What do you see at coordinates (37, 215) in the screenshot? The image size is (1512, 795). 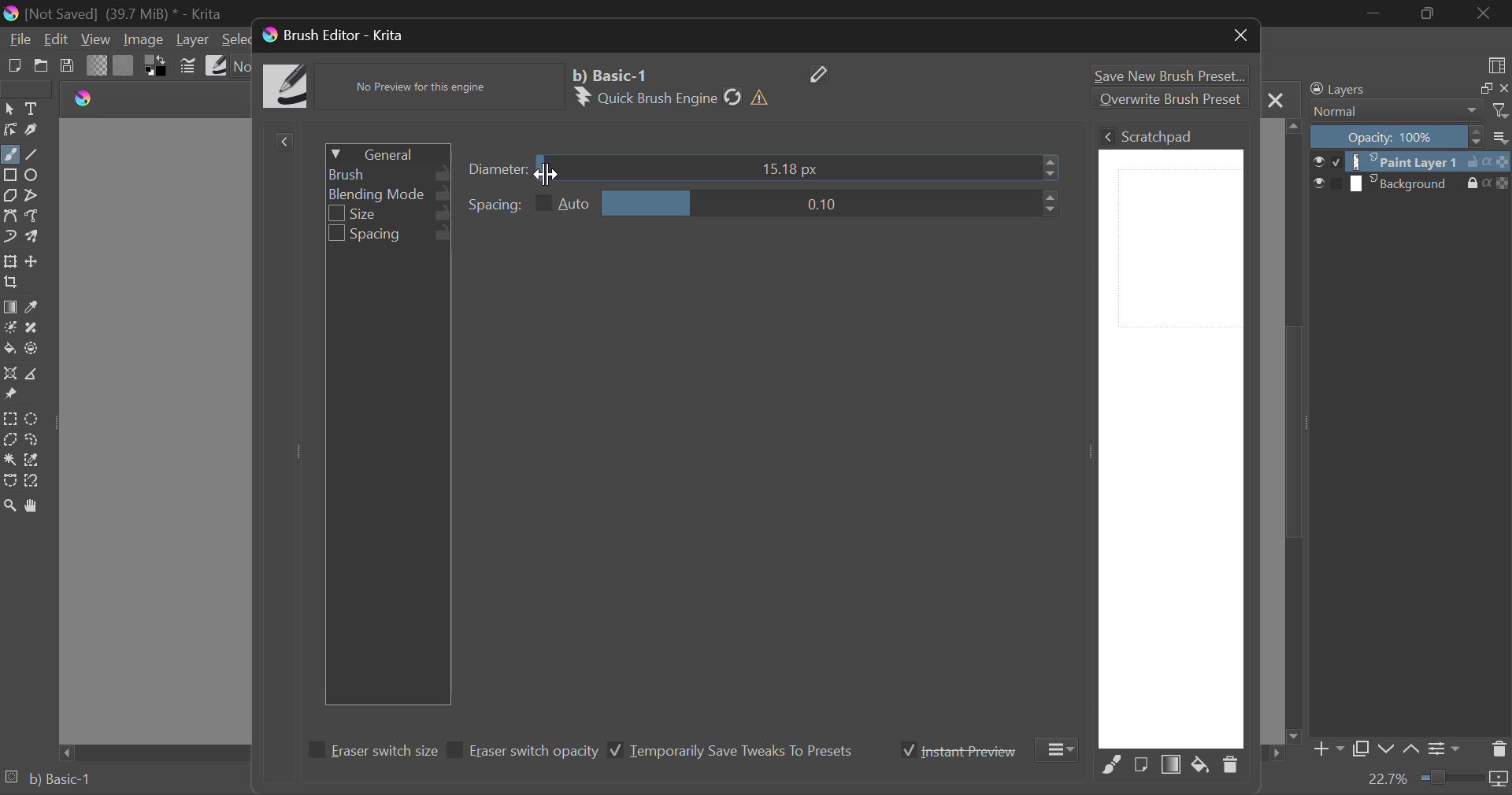 I see `Freehand Path Tools` at bounding box center [37, 215].